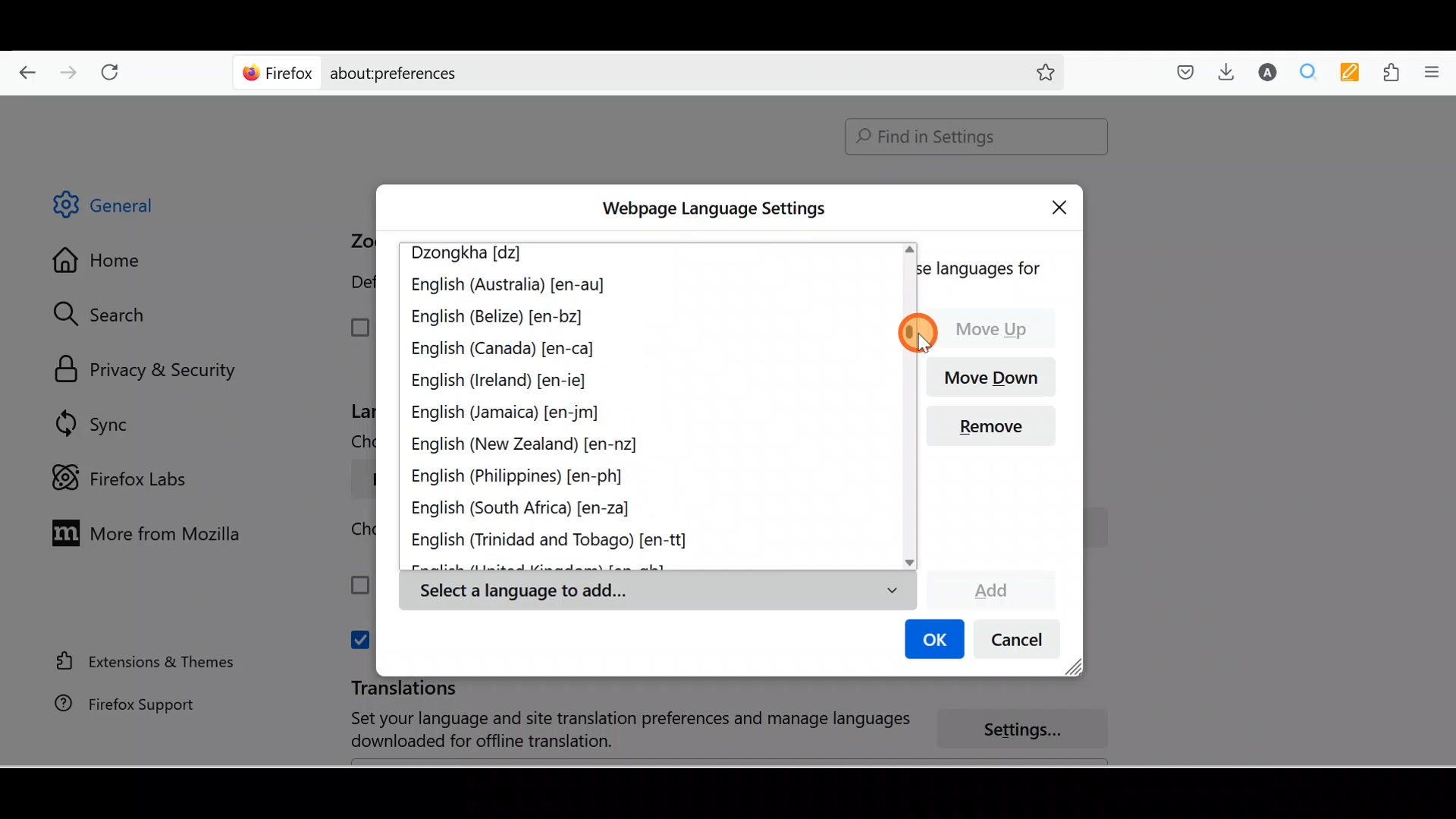 This screenshot has height=819, width=1456. What do you see at coordinates (71, 71) in the screenshot?
I see `Go forward back one page` at bounding box center [71, 71].